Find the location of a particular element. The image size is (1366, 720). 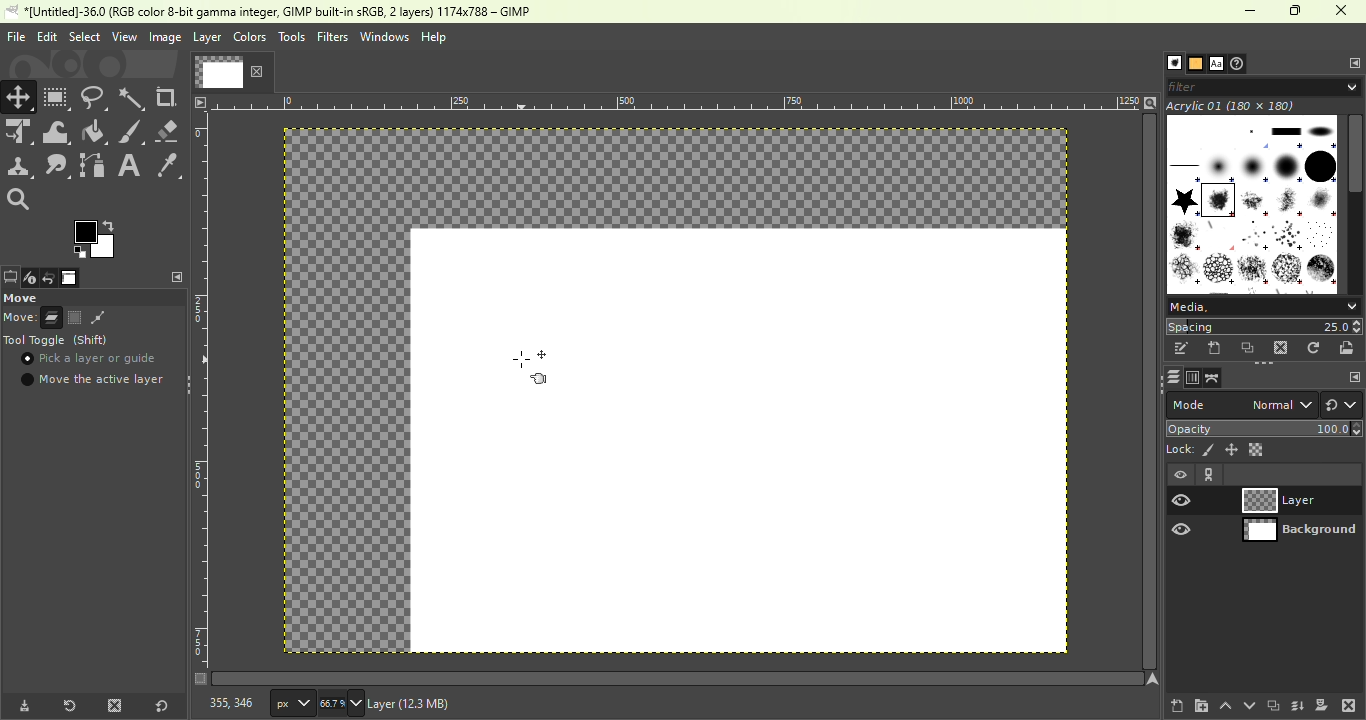

The active background color is located at coordinates (97, 237).